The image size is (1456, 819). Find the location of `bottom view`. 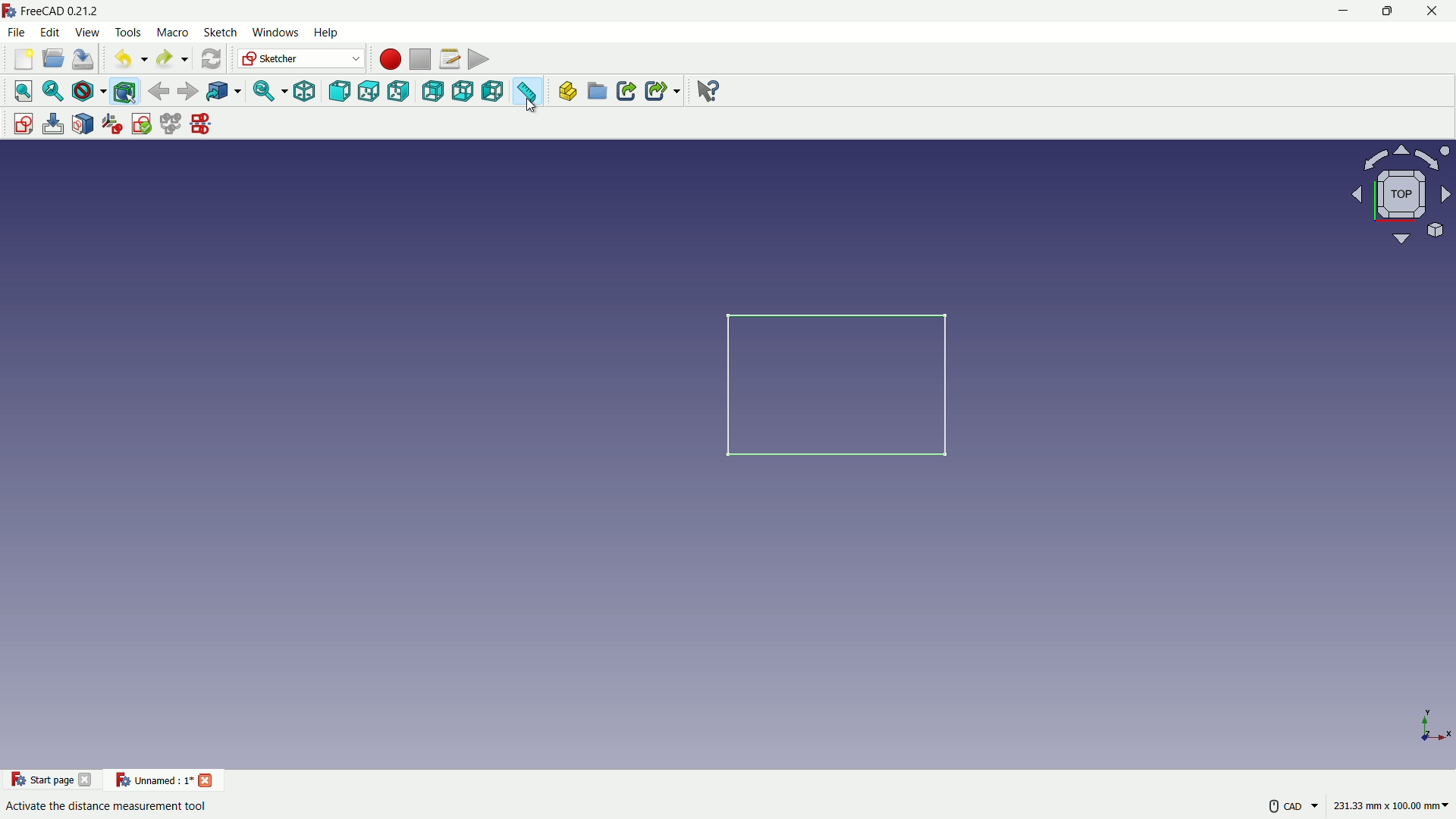

bottom view is located at coordinates (463, 93).